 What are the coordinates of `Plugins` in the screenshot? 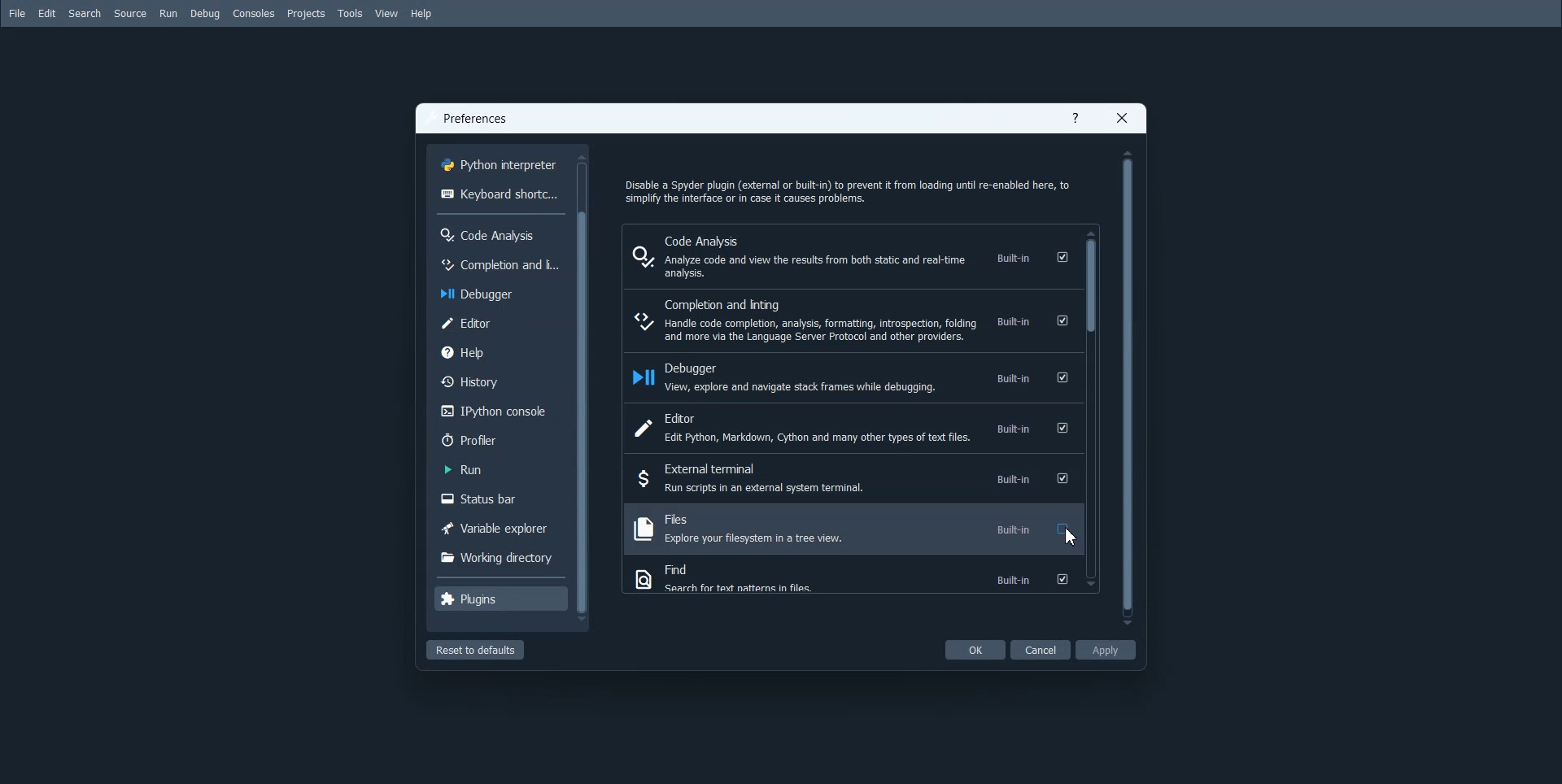 It's located at (500, 598).